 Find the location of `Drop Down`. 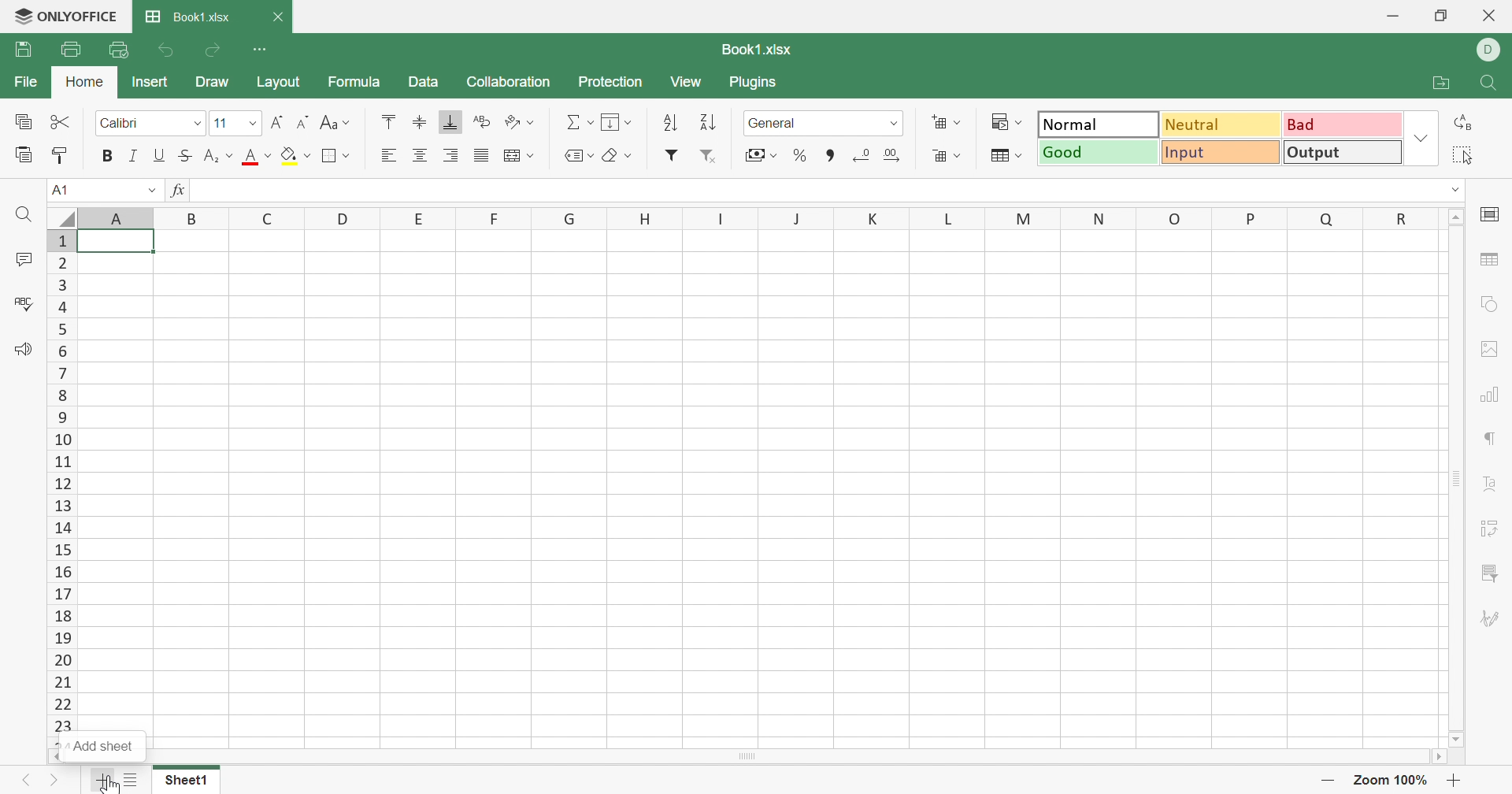

Drop Down is located at coordinates (197, 123).